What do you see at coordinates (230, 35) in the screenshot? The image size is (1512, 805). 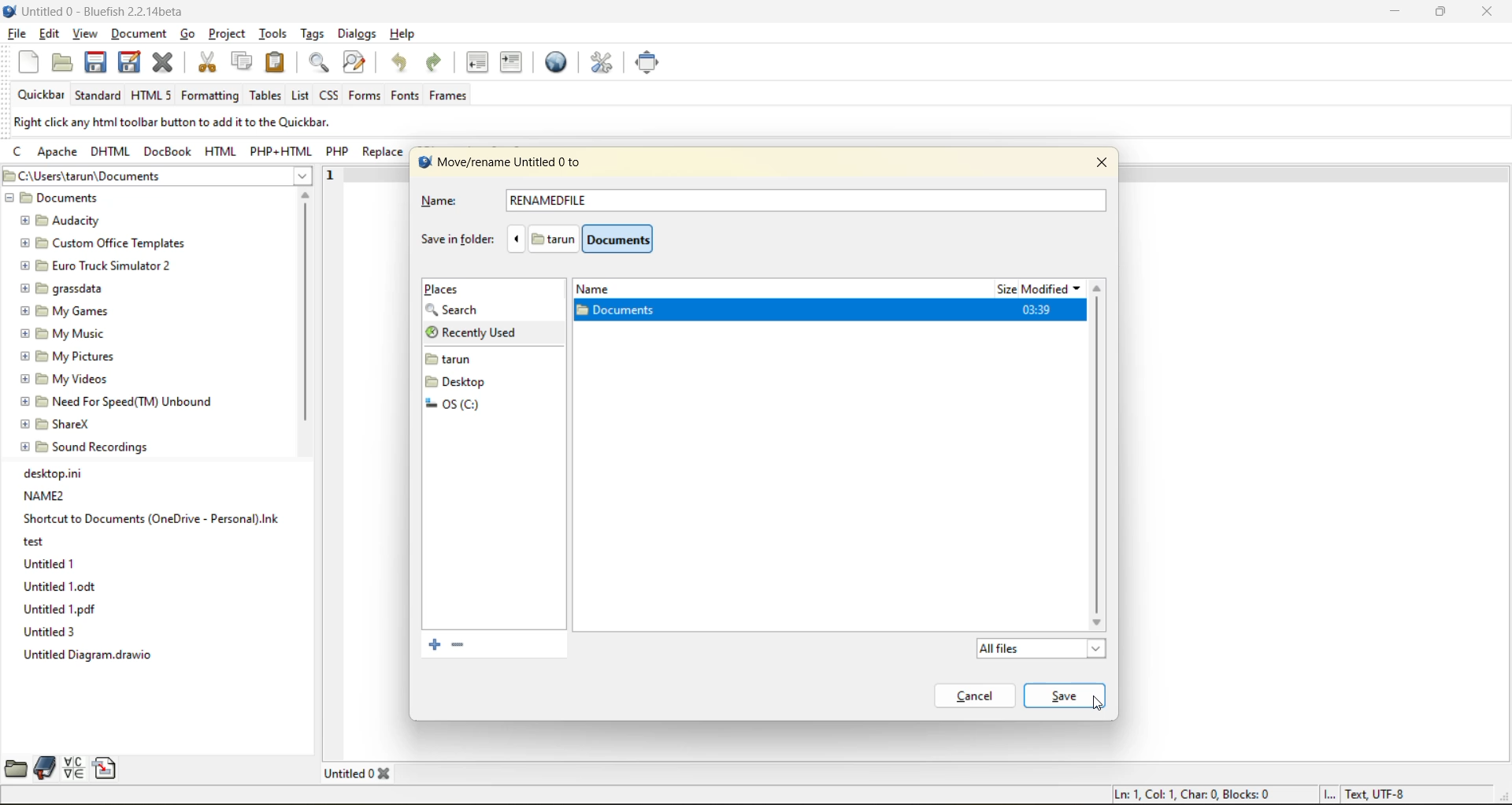 I see `project` at bounding box center [230, 35].